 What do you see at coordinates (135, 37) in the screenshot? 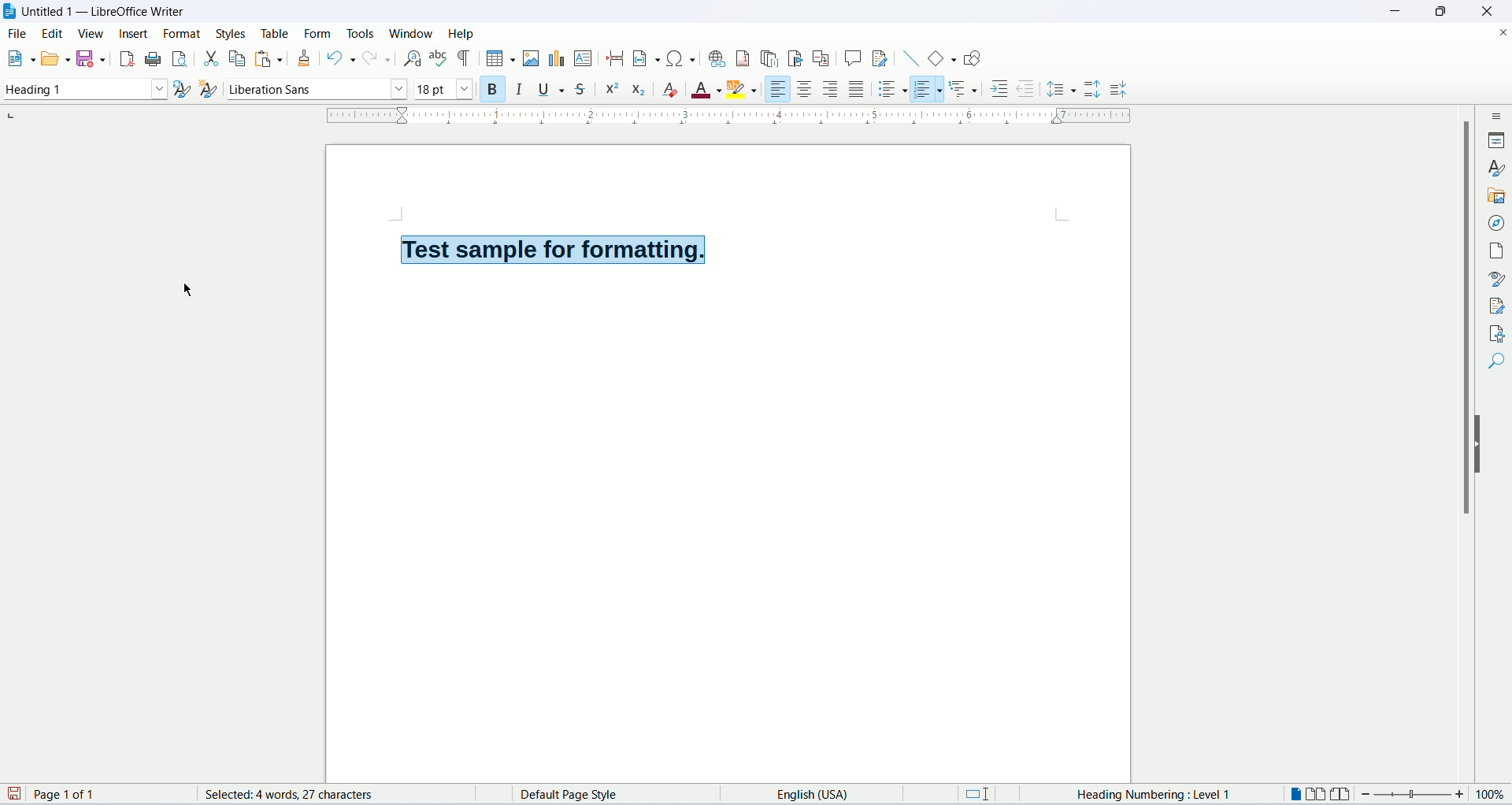
I see `insert` at bounding box center [135, 37].